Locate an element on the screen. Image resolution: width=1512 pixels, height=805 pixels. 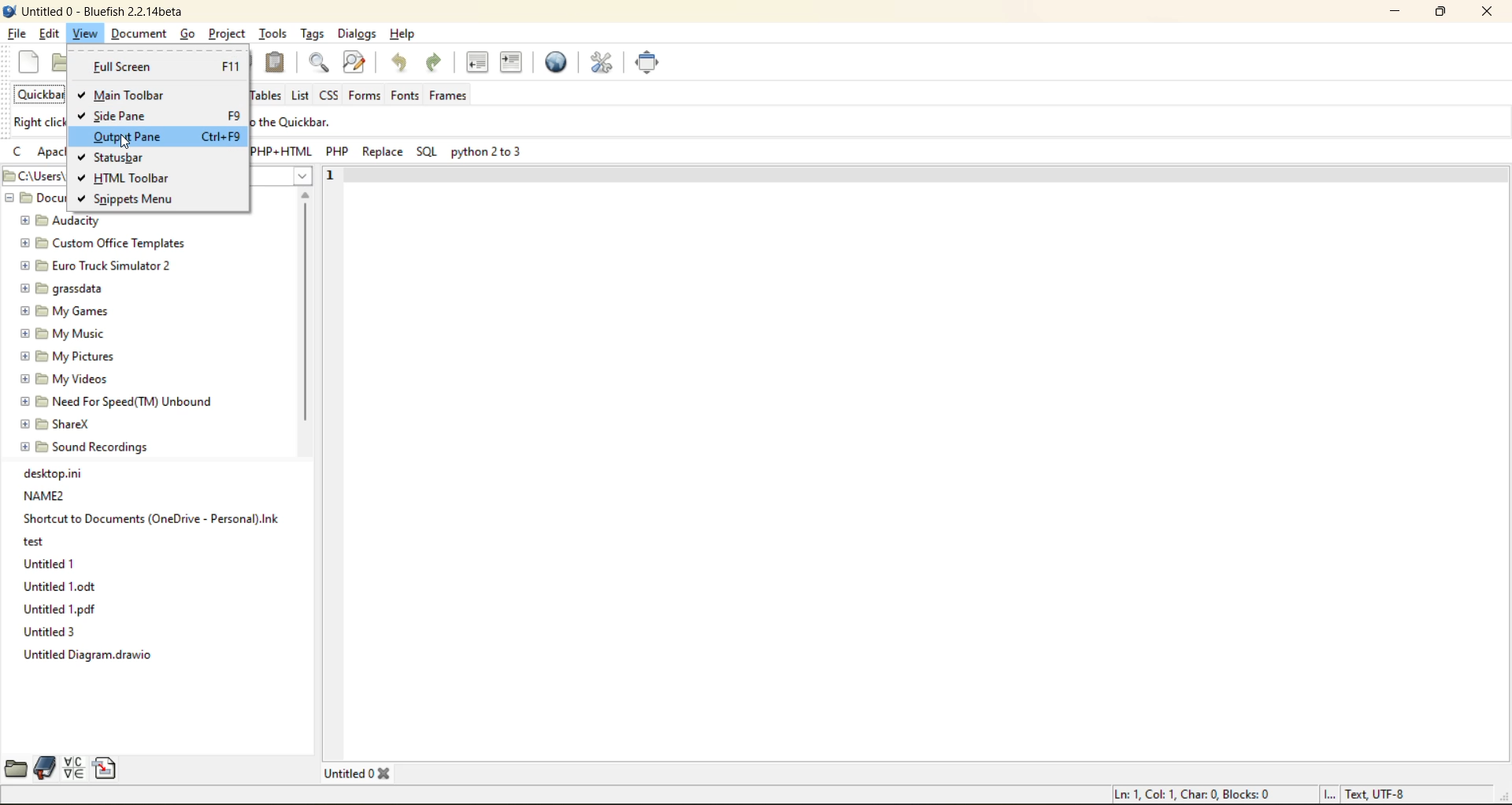
open is located at coordinates (61, 65).